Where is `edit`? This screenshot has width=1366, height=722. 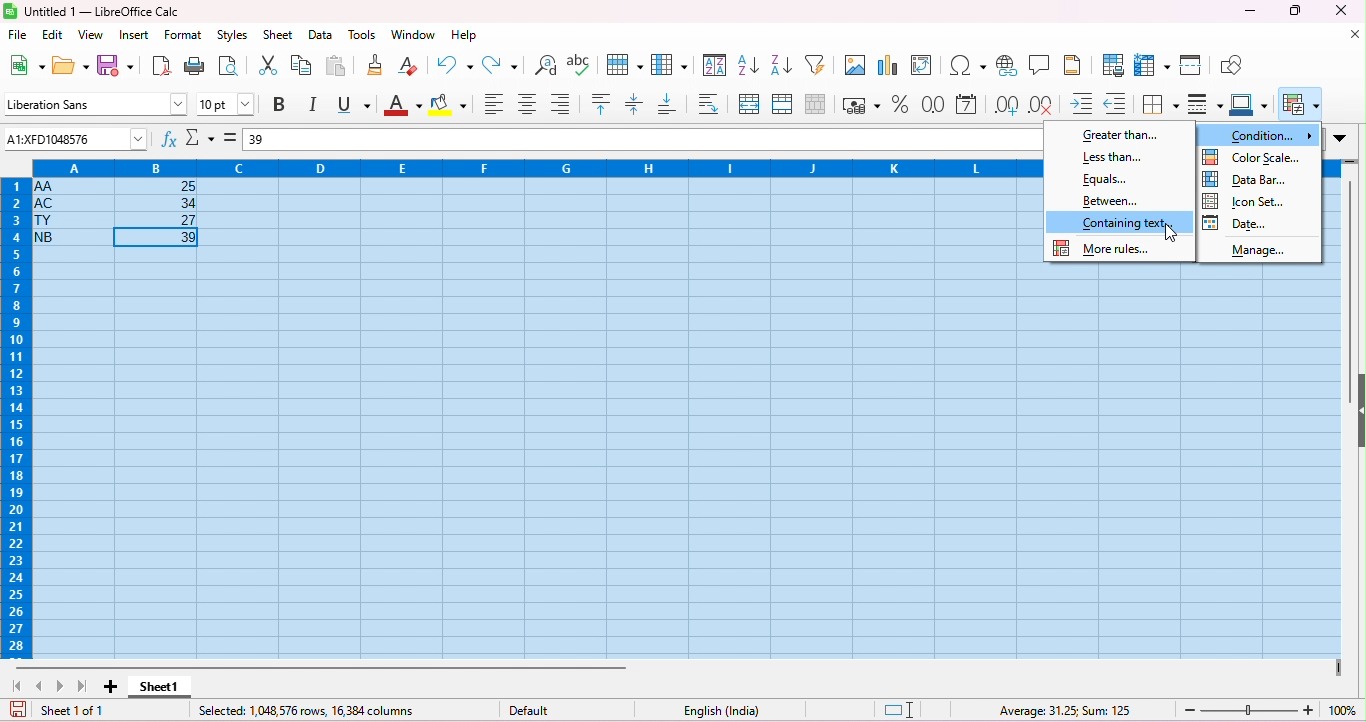 edit is located at coordinates (54, 36).